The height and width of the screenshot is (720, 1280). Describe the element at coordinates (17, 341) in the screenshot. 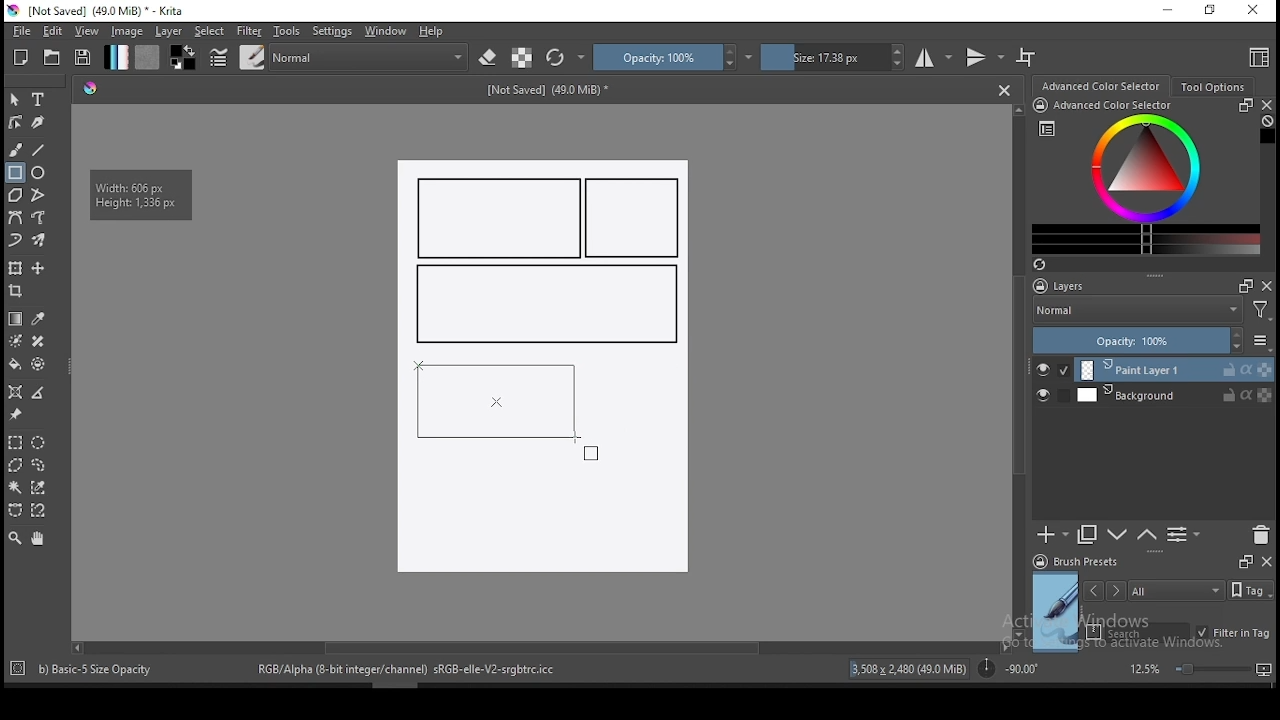

I see `colorize mask tool` at that location.